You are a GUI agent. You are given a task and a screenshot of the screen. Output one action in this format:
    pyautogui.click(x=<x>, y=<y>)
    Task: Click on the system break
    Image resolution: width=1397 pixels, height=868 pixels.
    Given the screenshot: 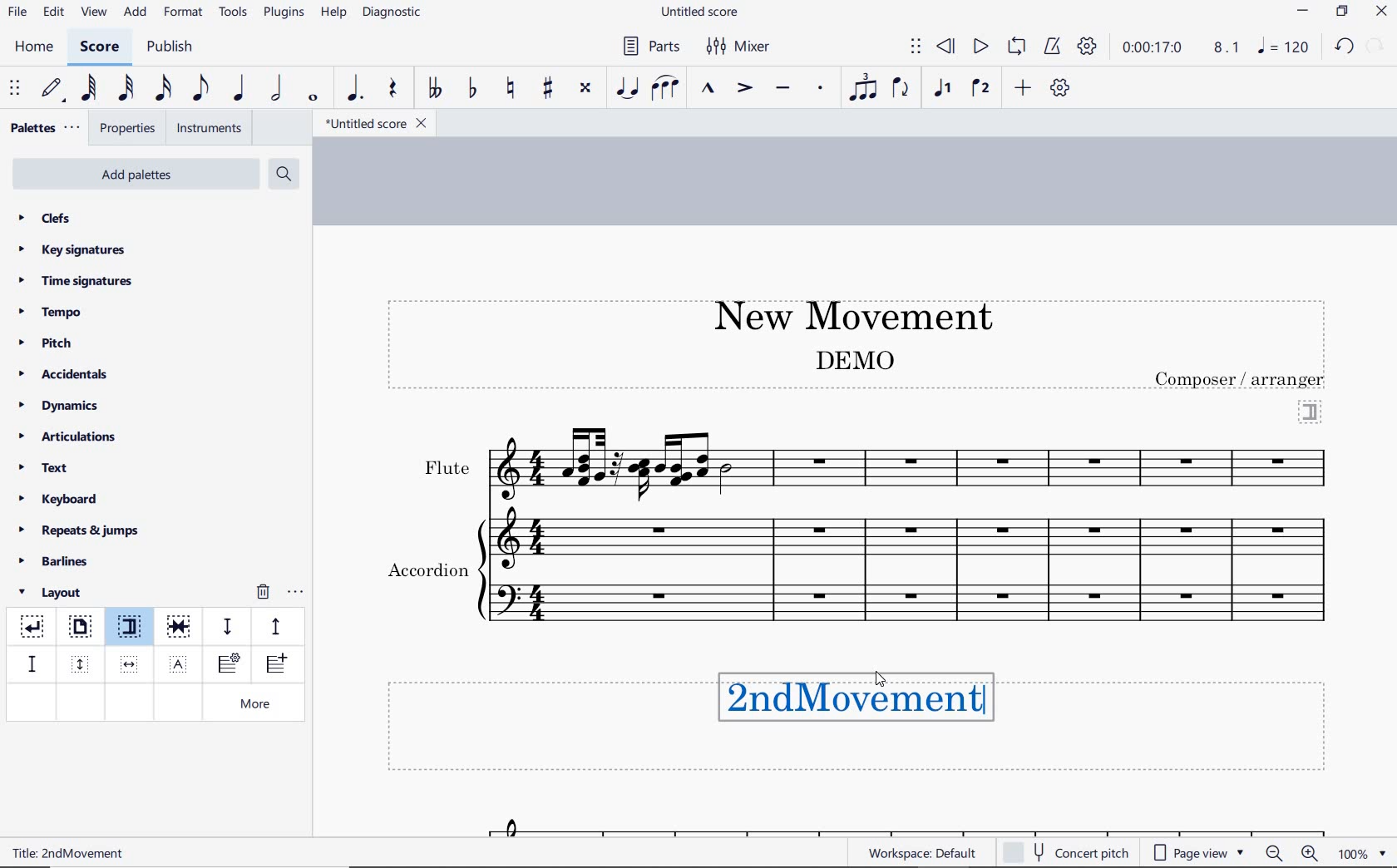 What is the action you would take?
    pyautogui.click(x=33, y=624)
    